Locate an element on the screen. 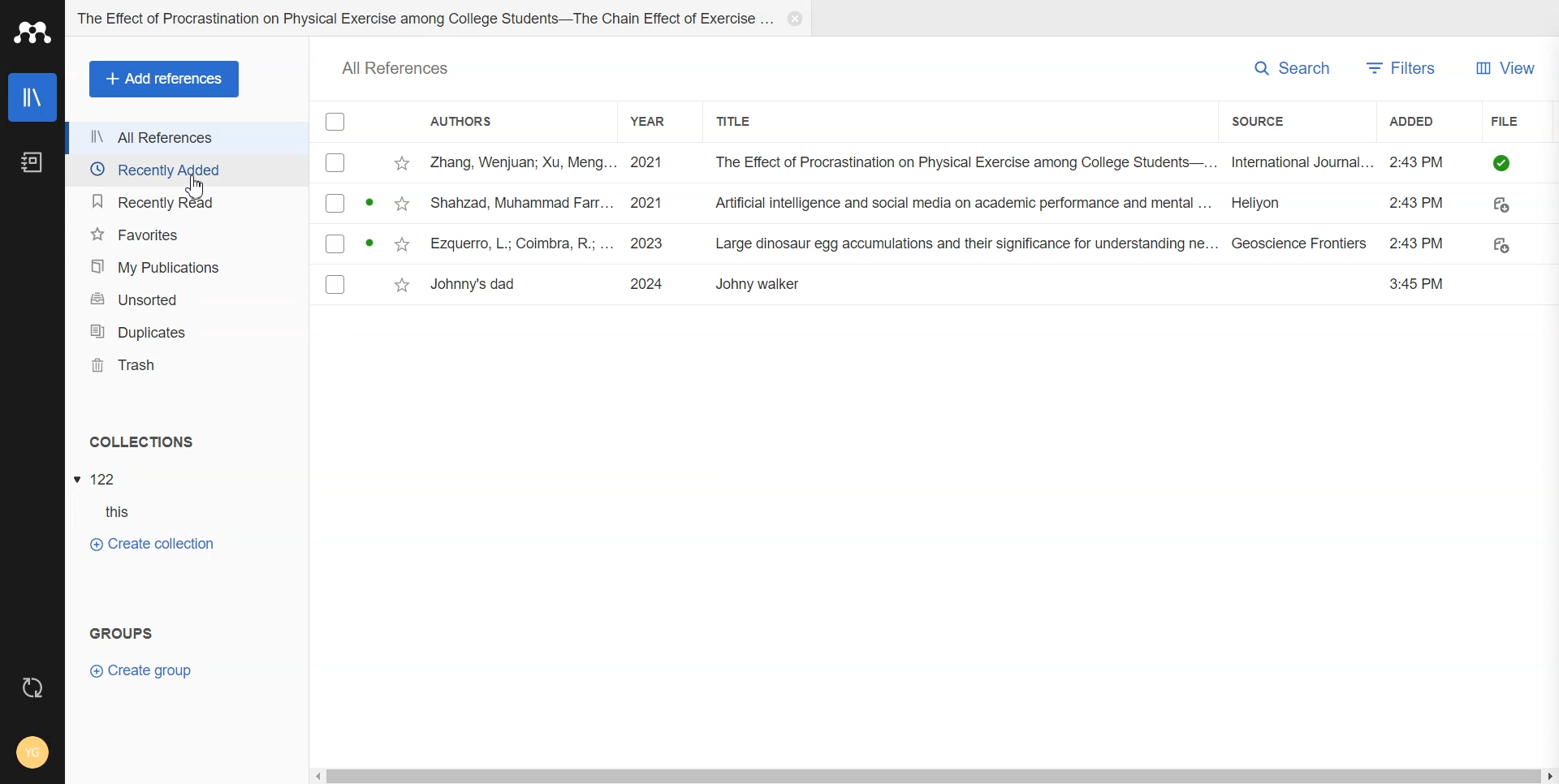  Search is located at coordinates (1293, 68).